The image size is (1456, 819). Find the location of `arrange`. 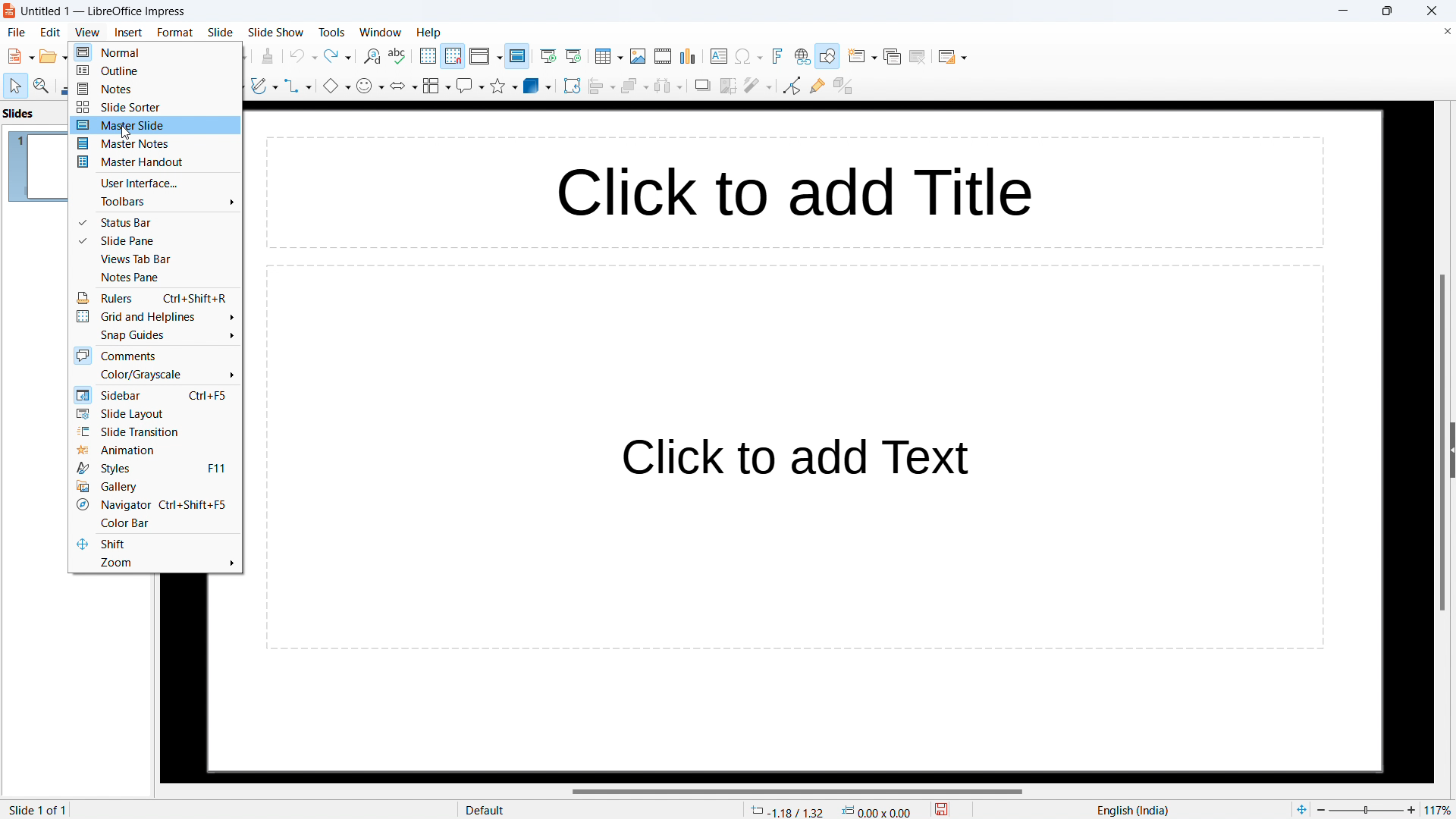

arrange is located at coordinates (634, 86).